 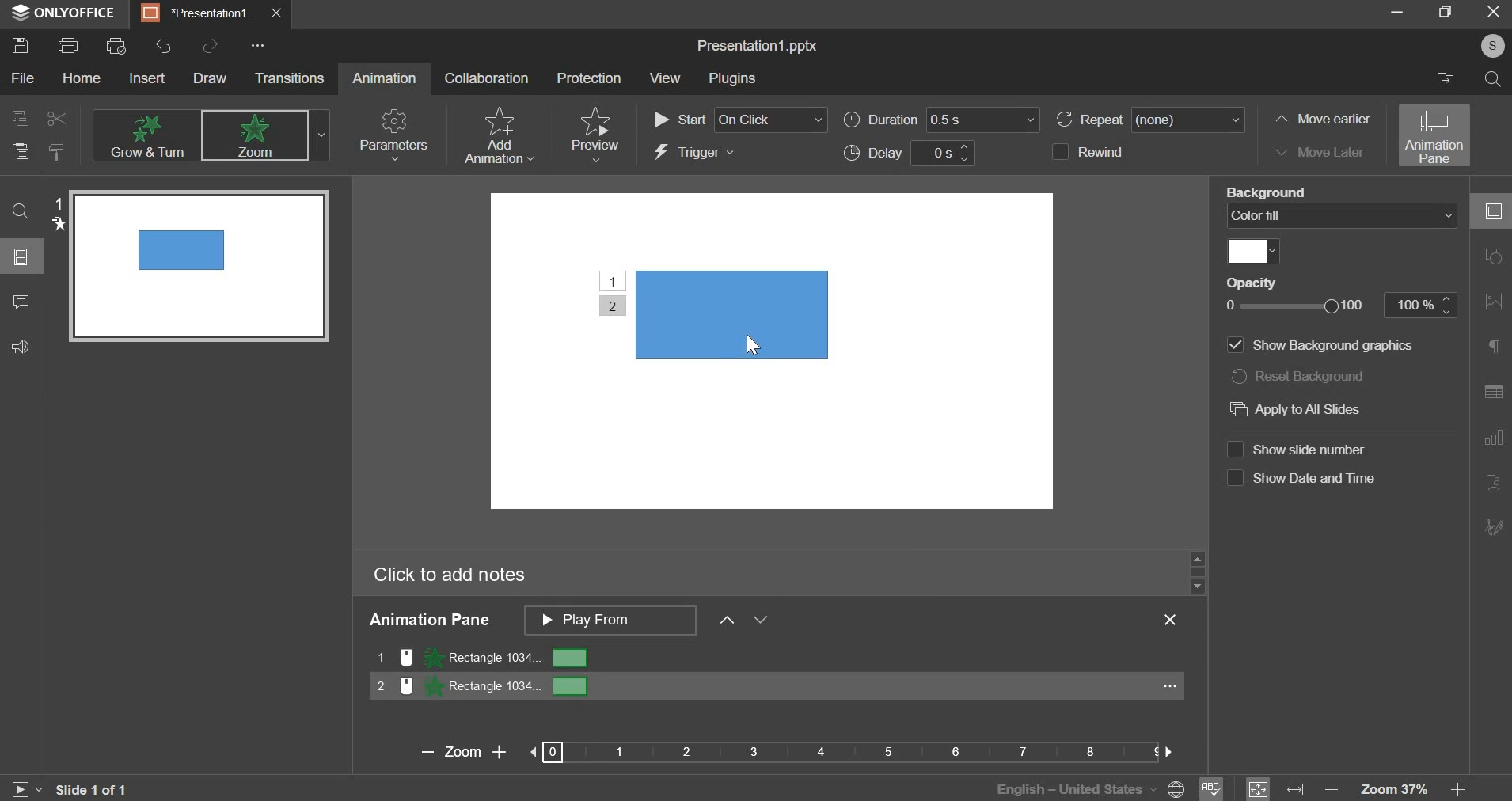 What do you see at coordinates (1392, 788) in the screenshot?
I see `zoom 37%` at bounding box center [1392, 788].